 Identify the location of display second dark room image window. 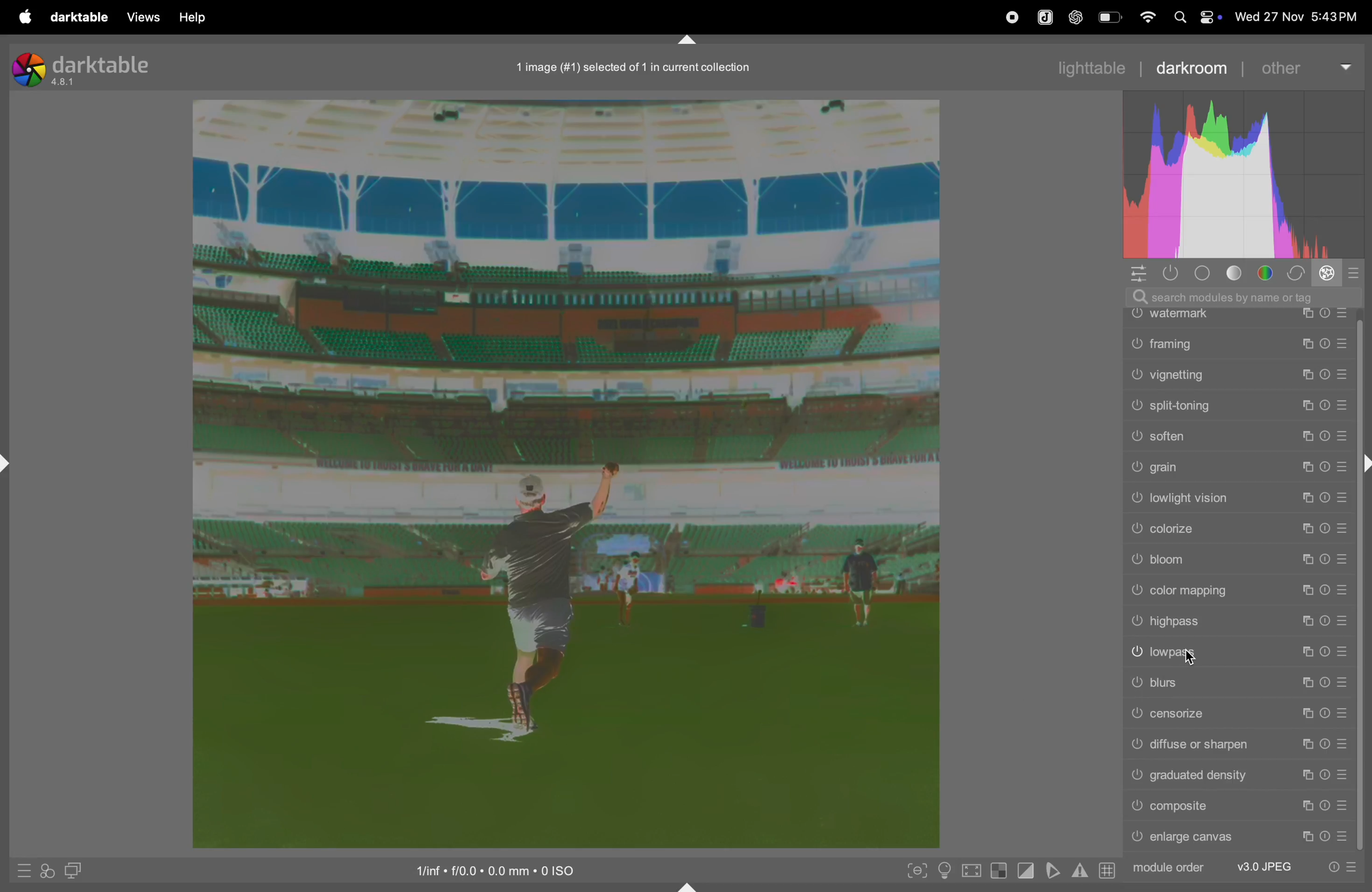
(79, 871).